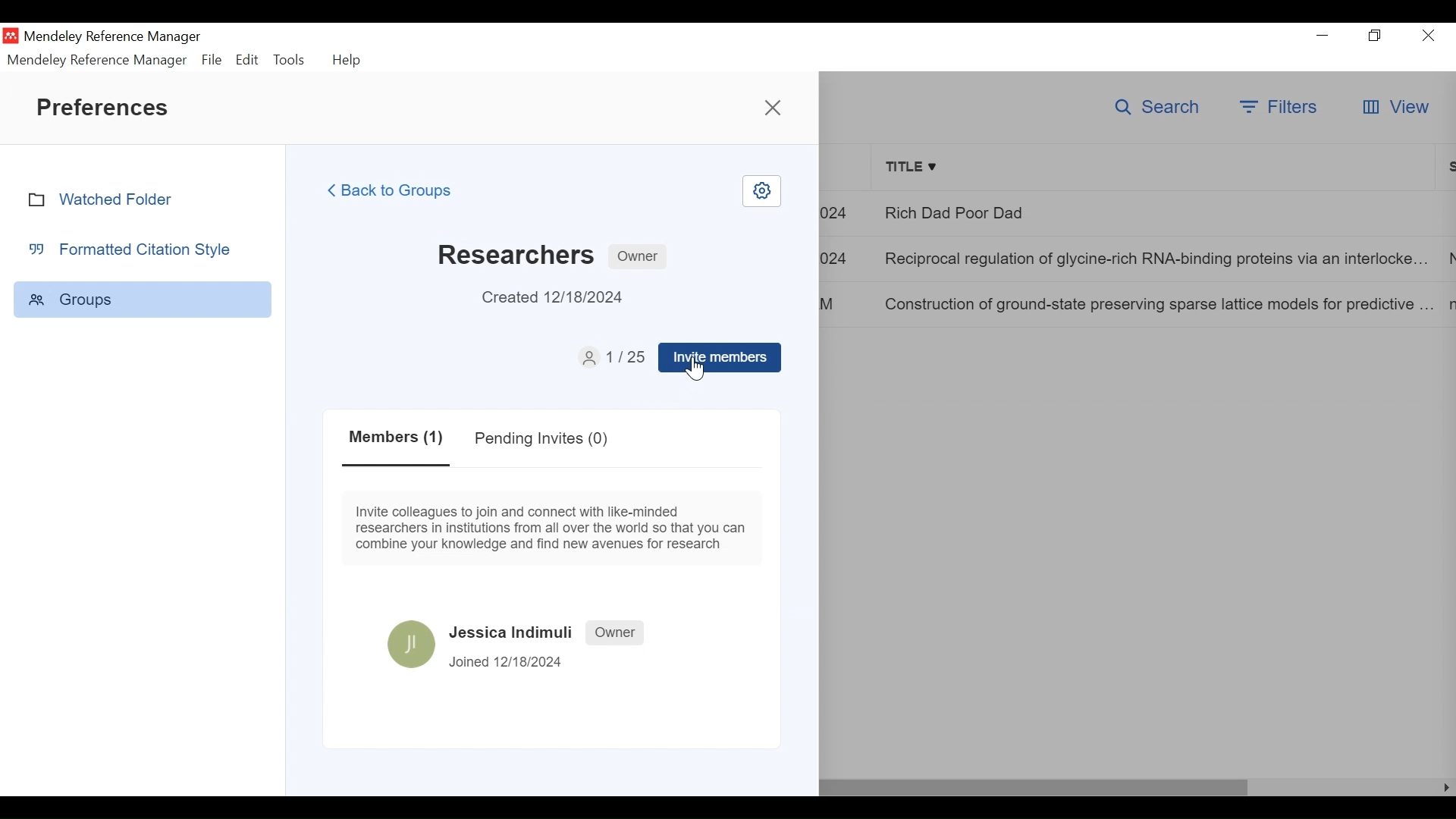 The width and height of the screenshot is (1456, 819). What do you see at coordinates (1395, 106) in the screenshot?
I see `View` at bounding box center [1395, 106].